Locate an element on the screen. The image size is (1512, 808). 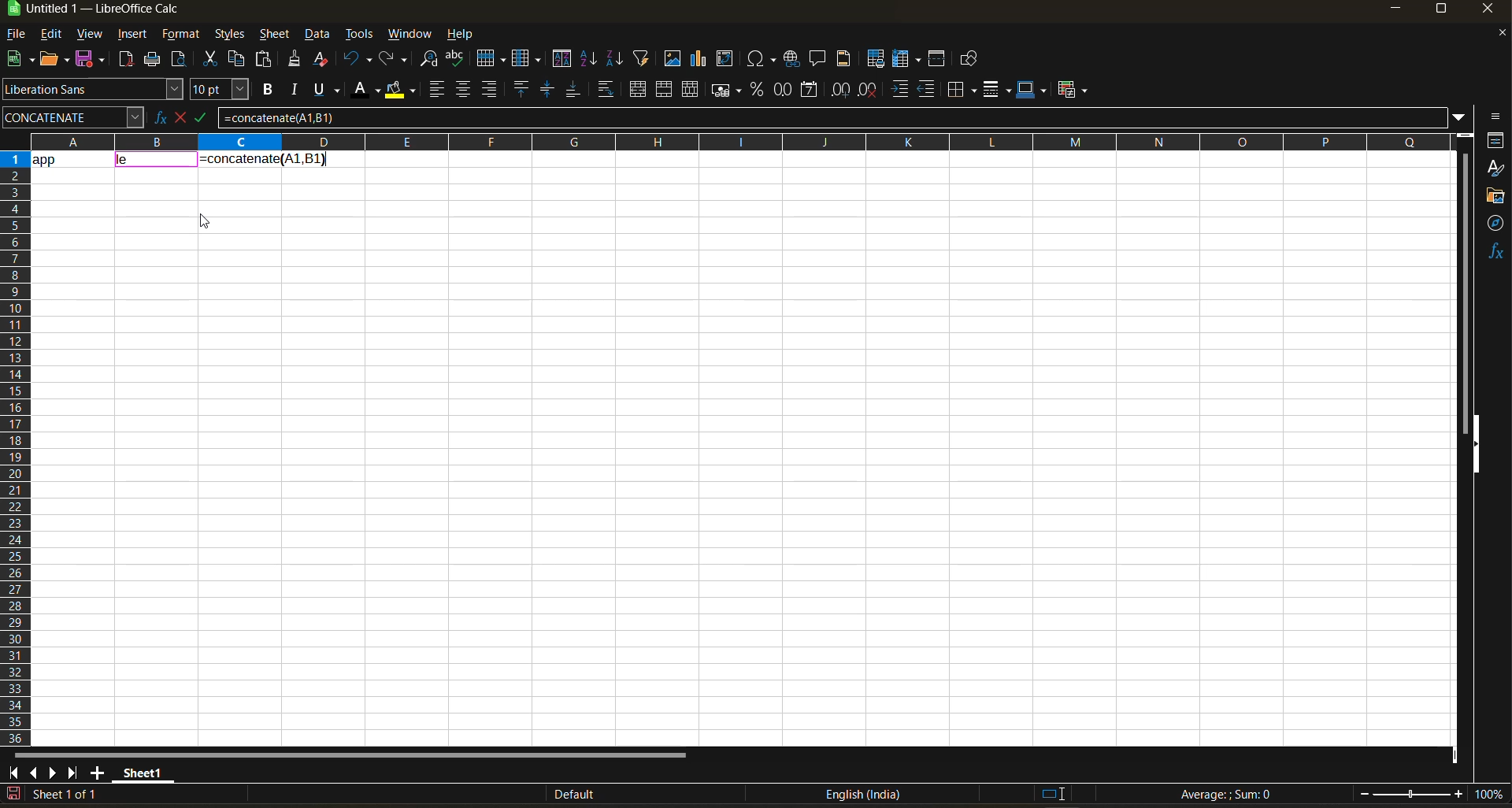
properties is located at coordinates (1496, 140).